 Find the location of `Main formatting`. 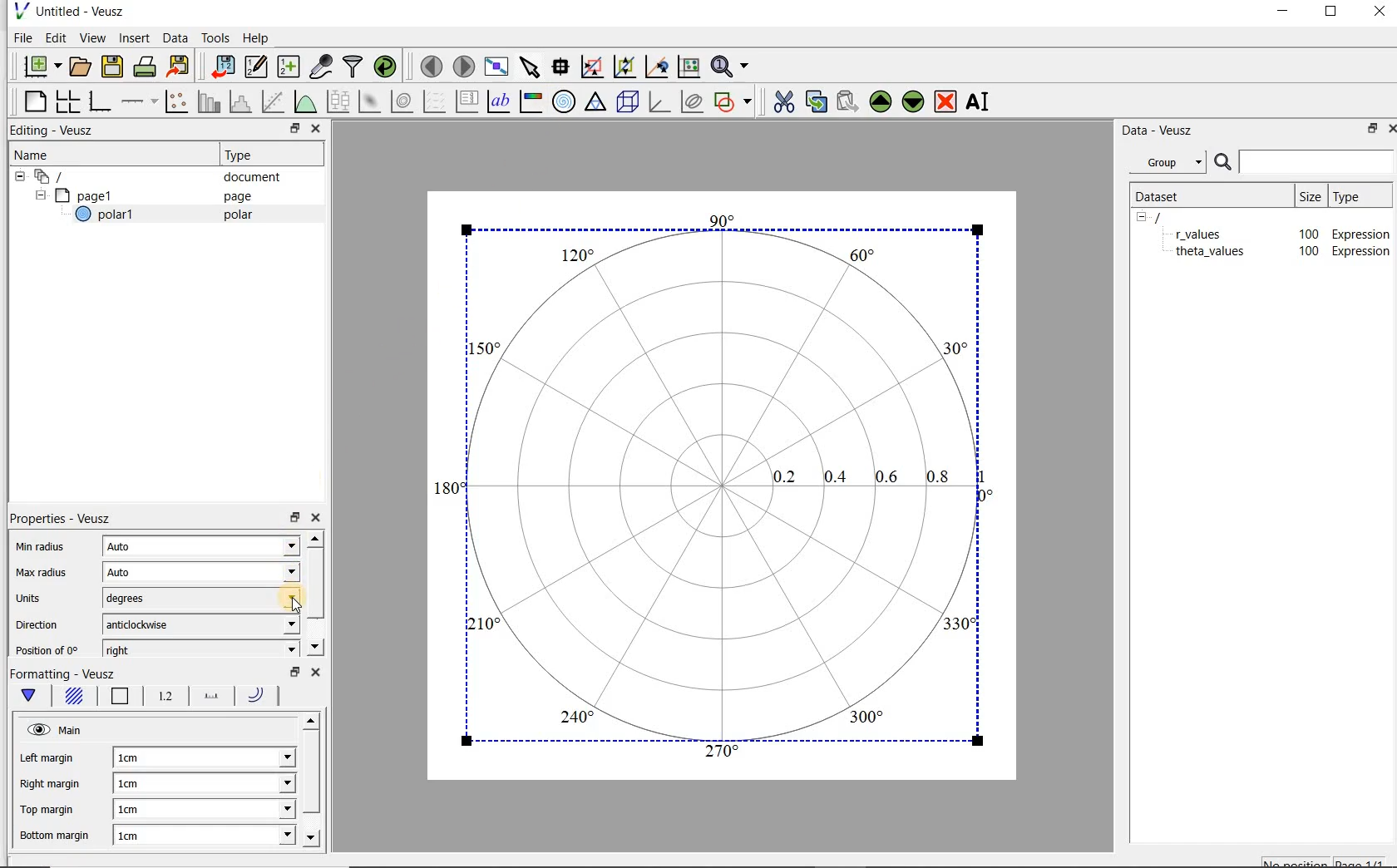

Main formatting is located at coordinates (28, 696).